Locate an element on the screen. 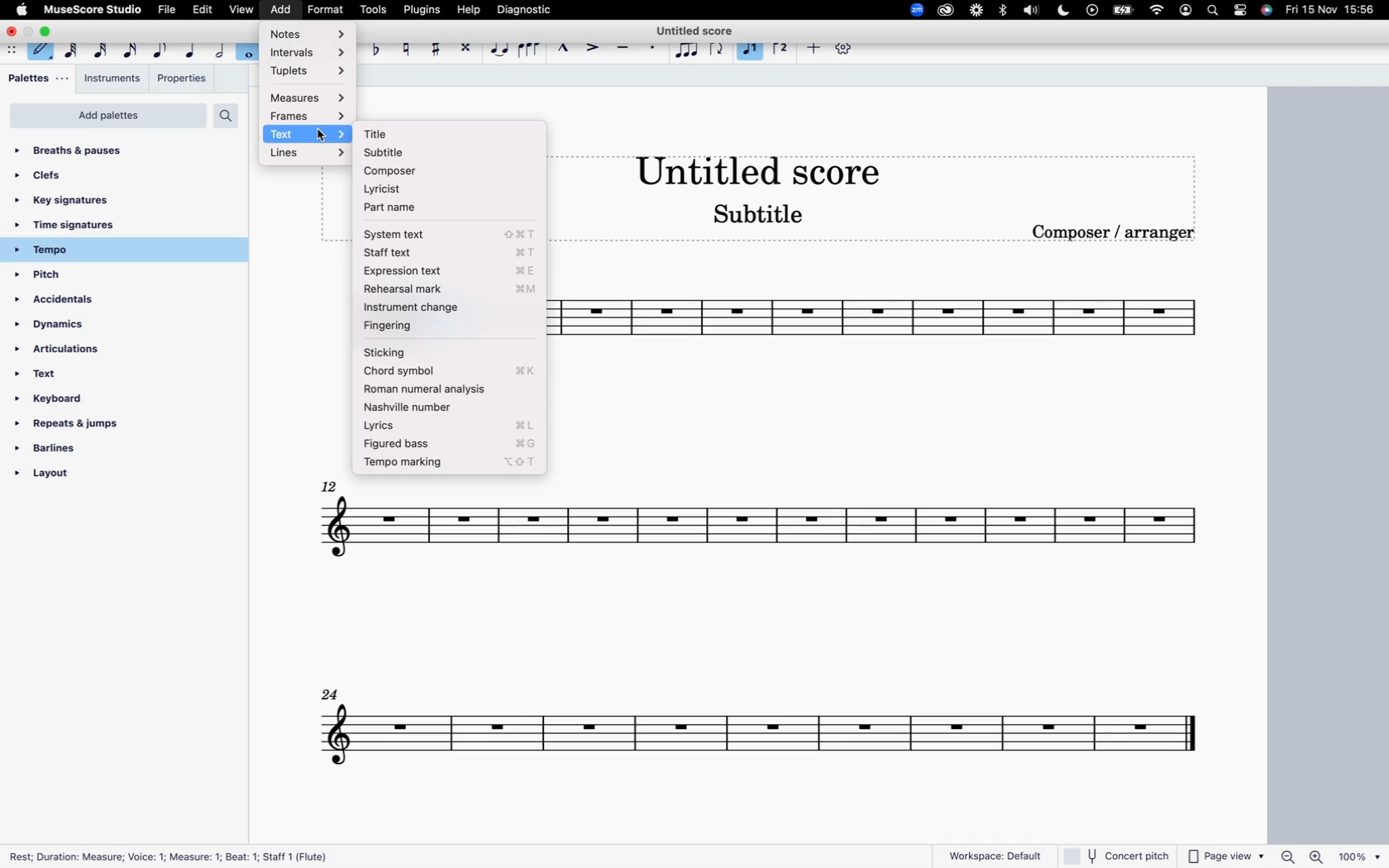 This screenshot has height=868, width=1389. fingering is located at coordinates (449, 327).